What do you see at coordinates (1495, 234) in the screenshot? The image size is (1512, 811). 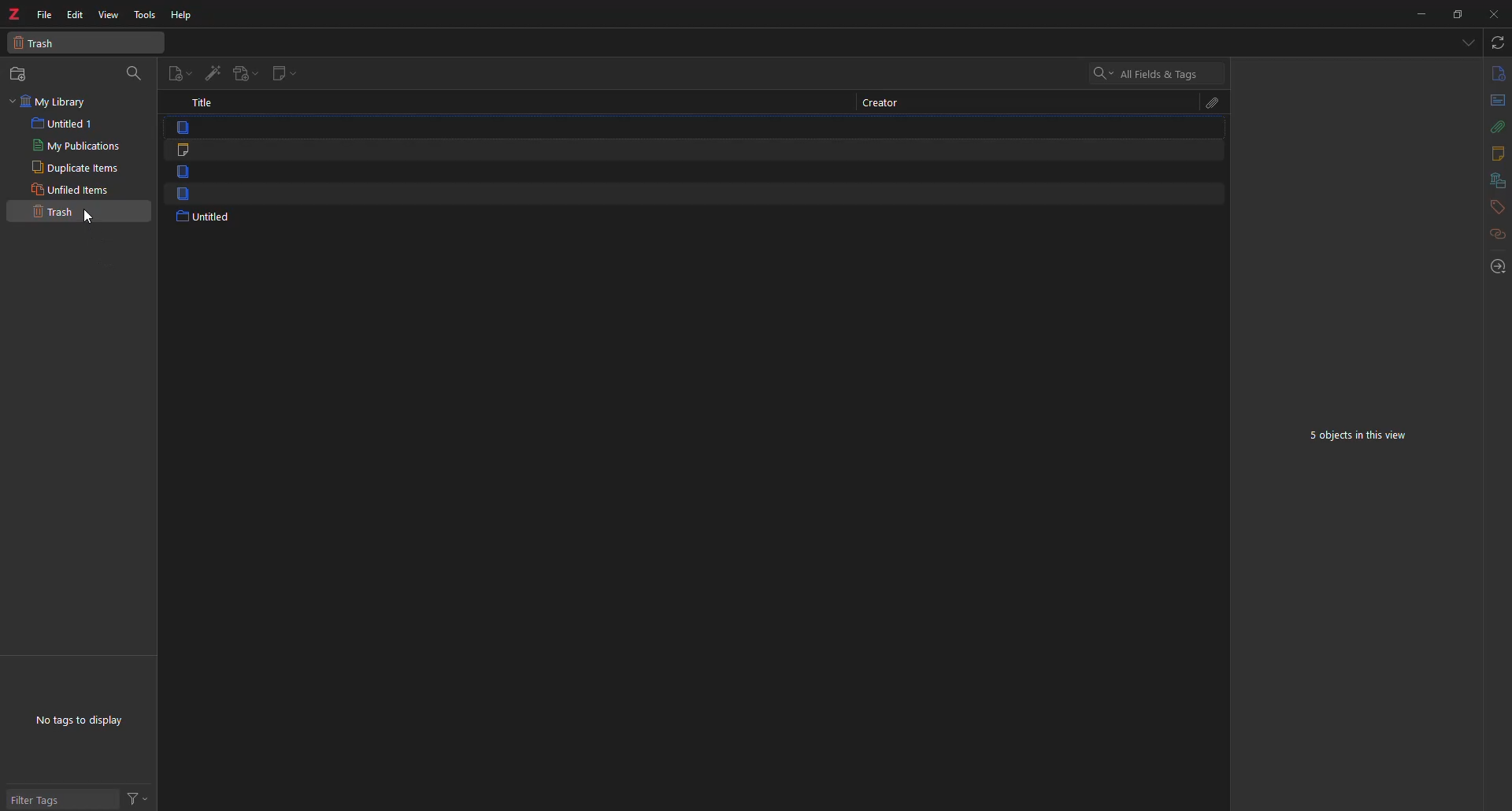 I see `related` at bounding box center [1495, 234].